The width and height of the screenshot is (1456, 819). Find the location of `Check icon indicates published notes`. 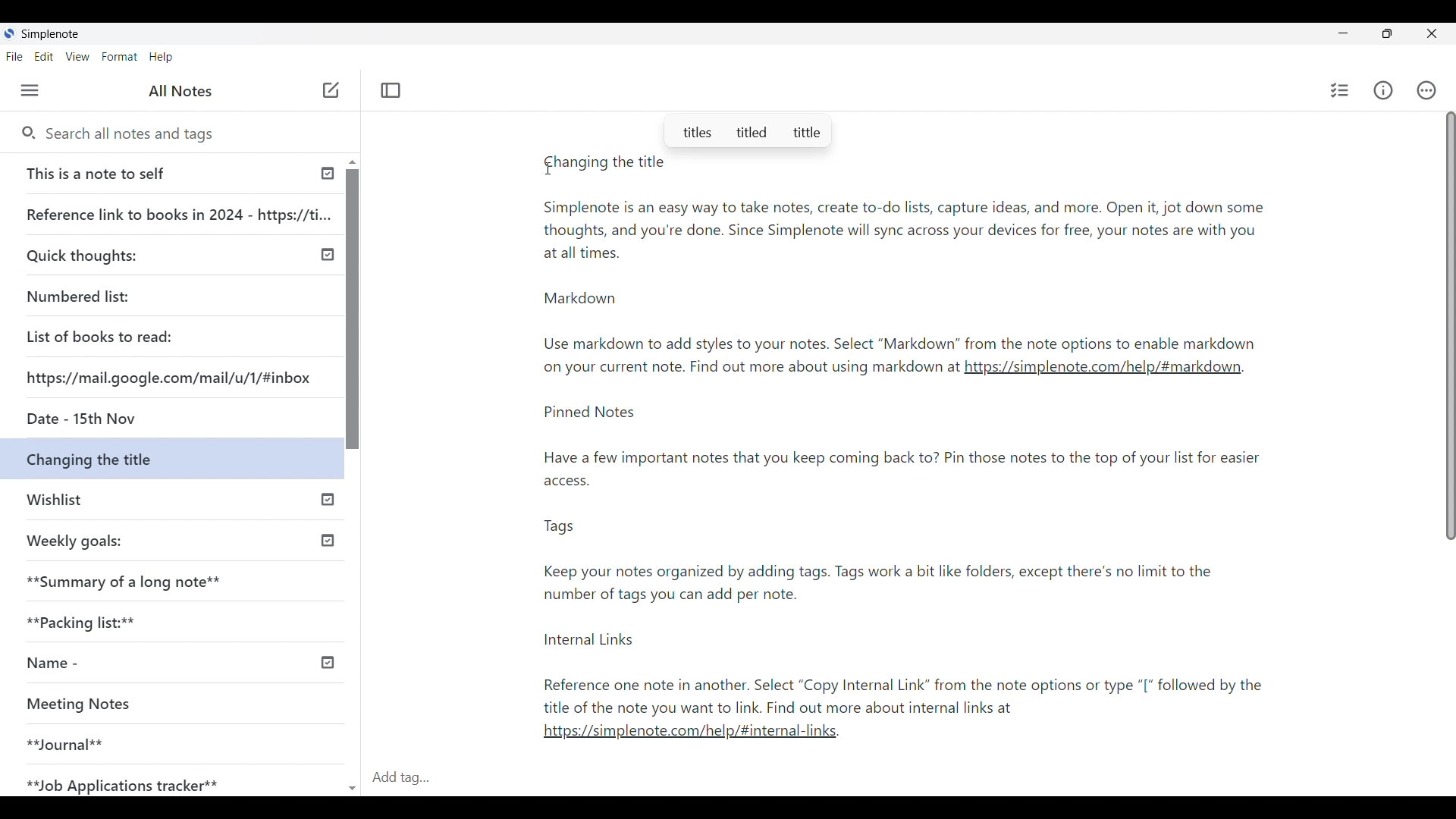

Check icon indicates published notes is located at coordinates (328, 170).